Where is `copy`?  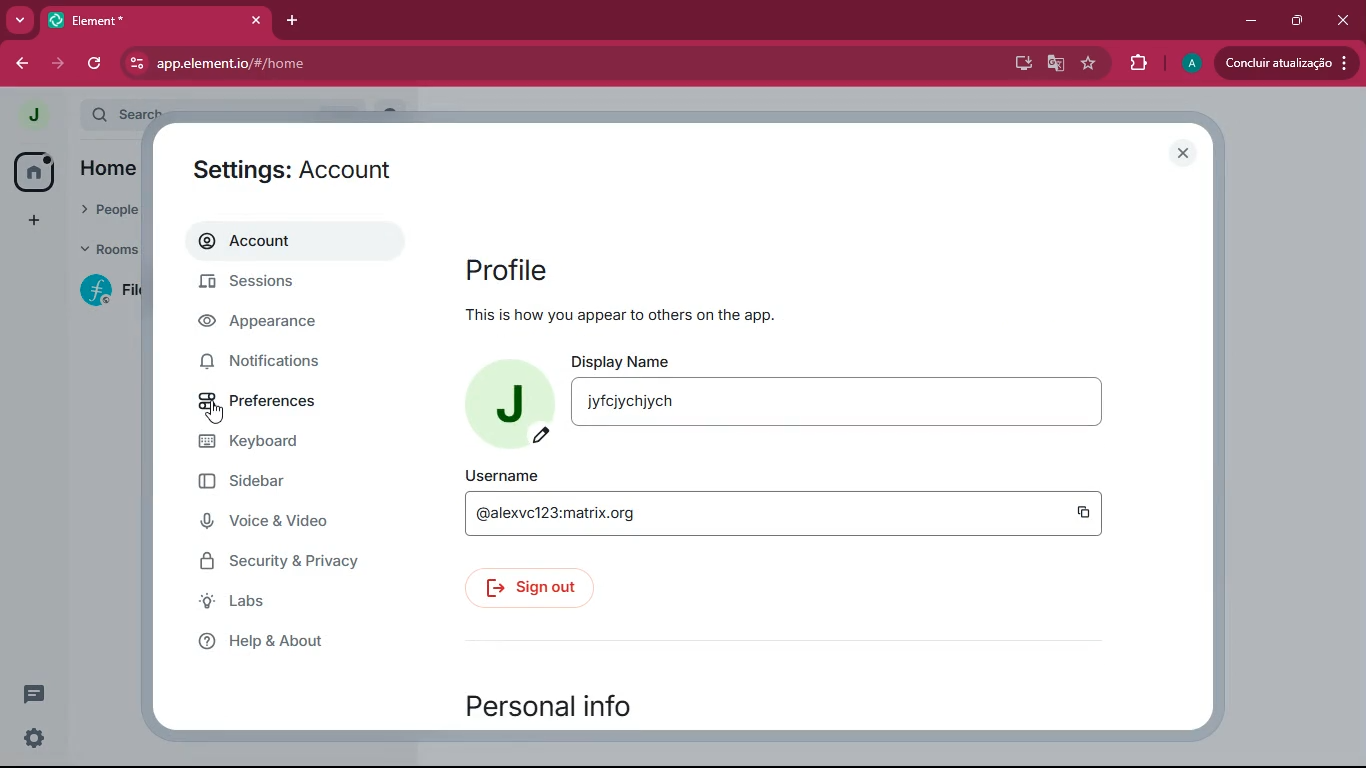
copy is located at coordinates (1083, 513).